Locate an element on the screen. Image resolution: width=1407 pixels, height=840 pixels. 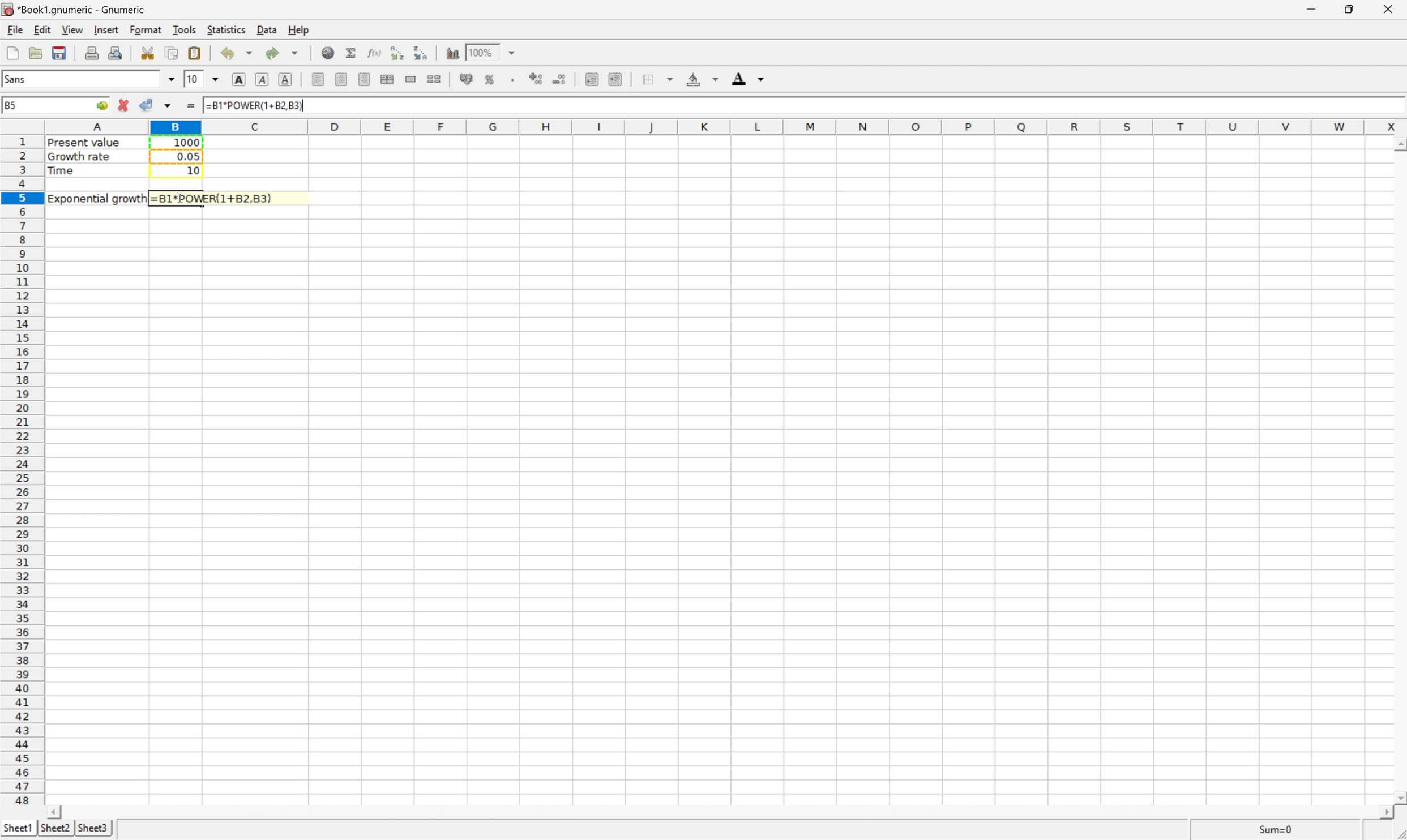
Drop Down is located at coordinates (171, 80).